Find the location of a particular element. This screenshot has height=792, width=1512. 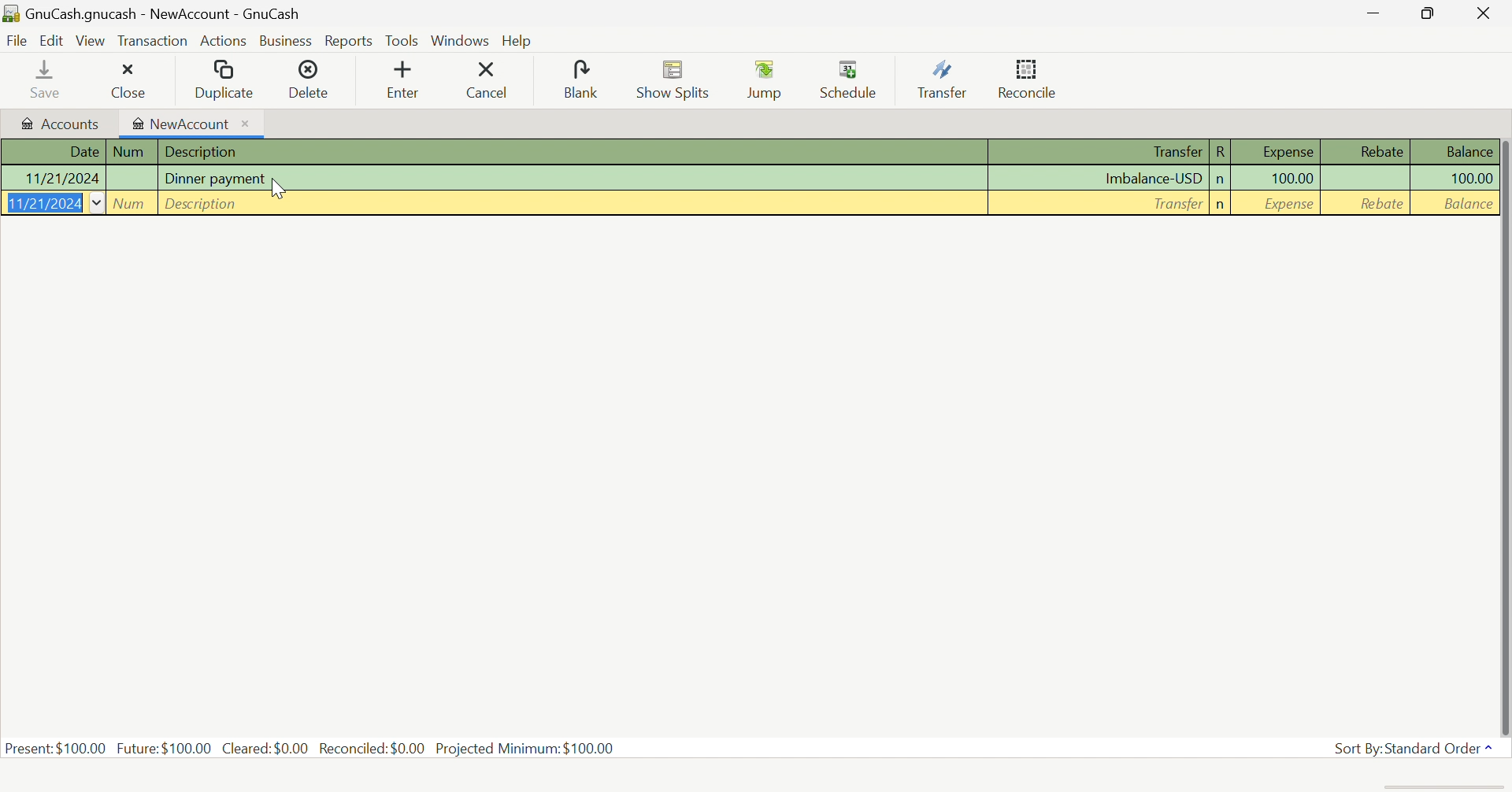

View is located at coordinates (91, 41).